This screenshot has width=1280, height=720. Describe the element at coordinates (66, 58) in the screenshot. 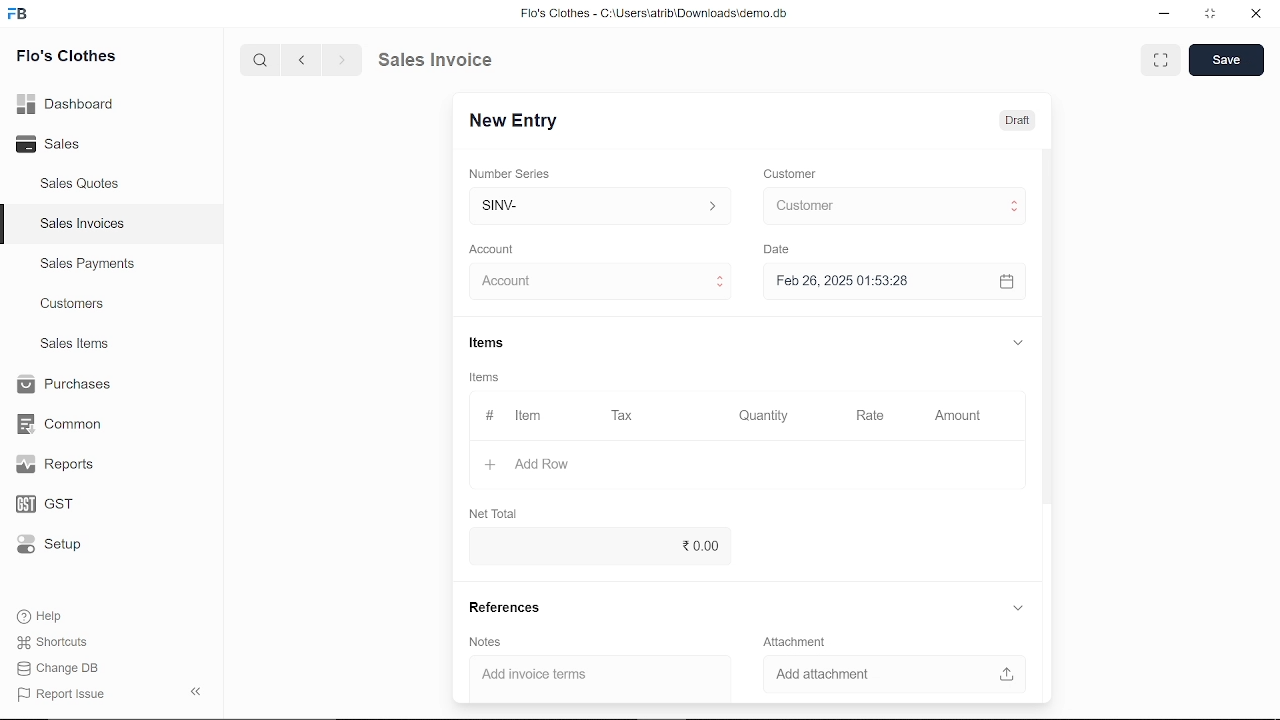

I see `Flo's Clothes` at that location.